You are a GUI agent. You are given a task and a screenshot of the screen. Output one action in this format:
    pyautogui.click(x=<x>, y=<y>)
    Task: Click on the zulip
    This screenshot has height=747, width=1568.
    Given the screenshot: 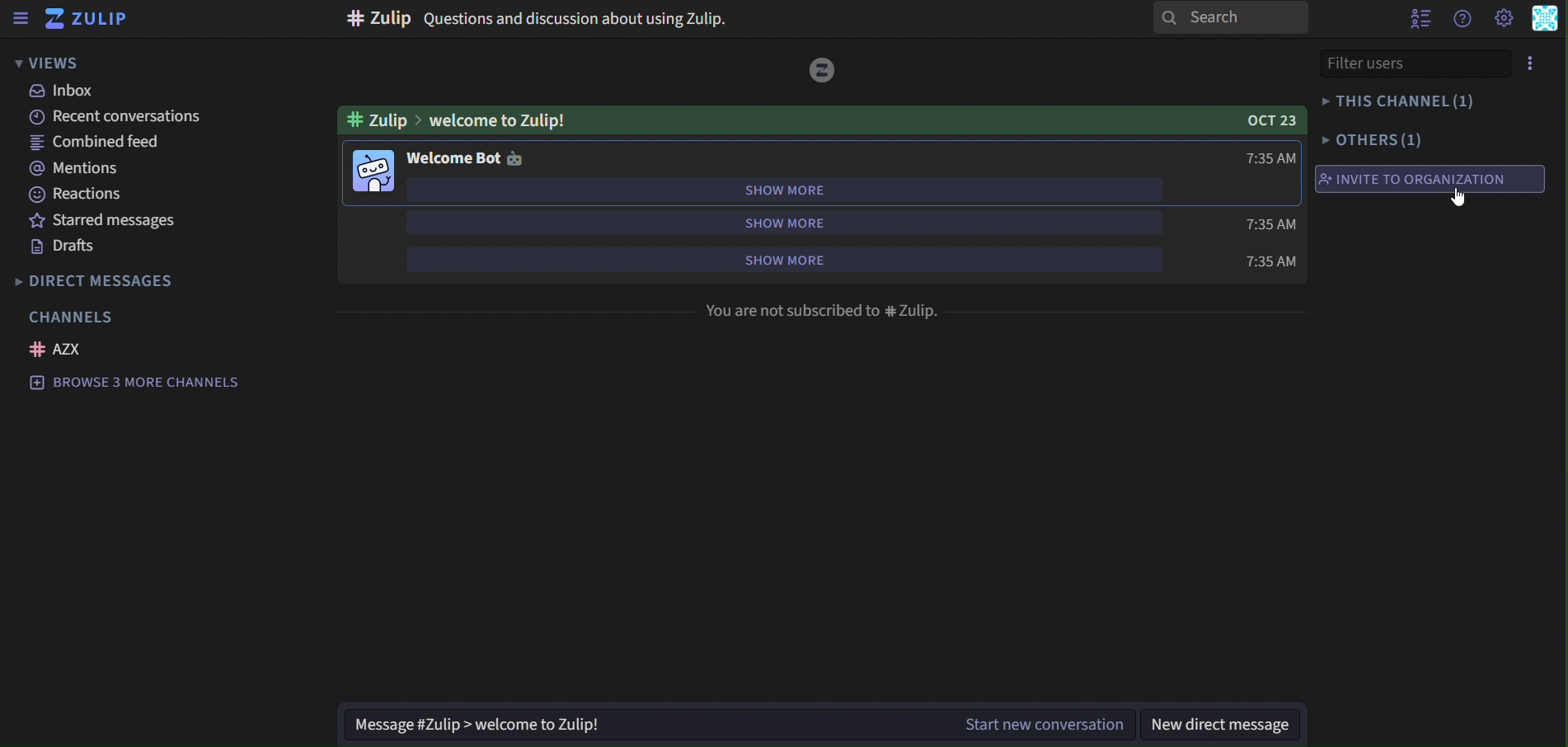 What is the action you would take?
    pyautogui.click(x=92, y=19)
    